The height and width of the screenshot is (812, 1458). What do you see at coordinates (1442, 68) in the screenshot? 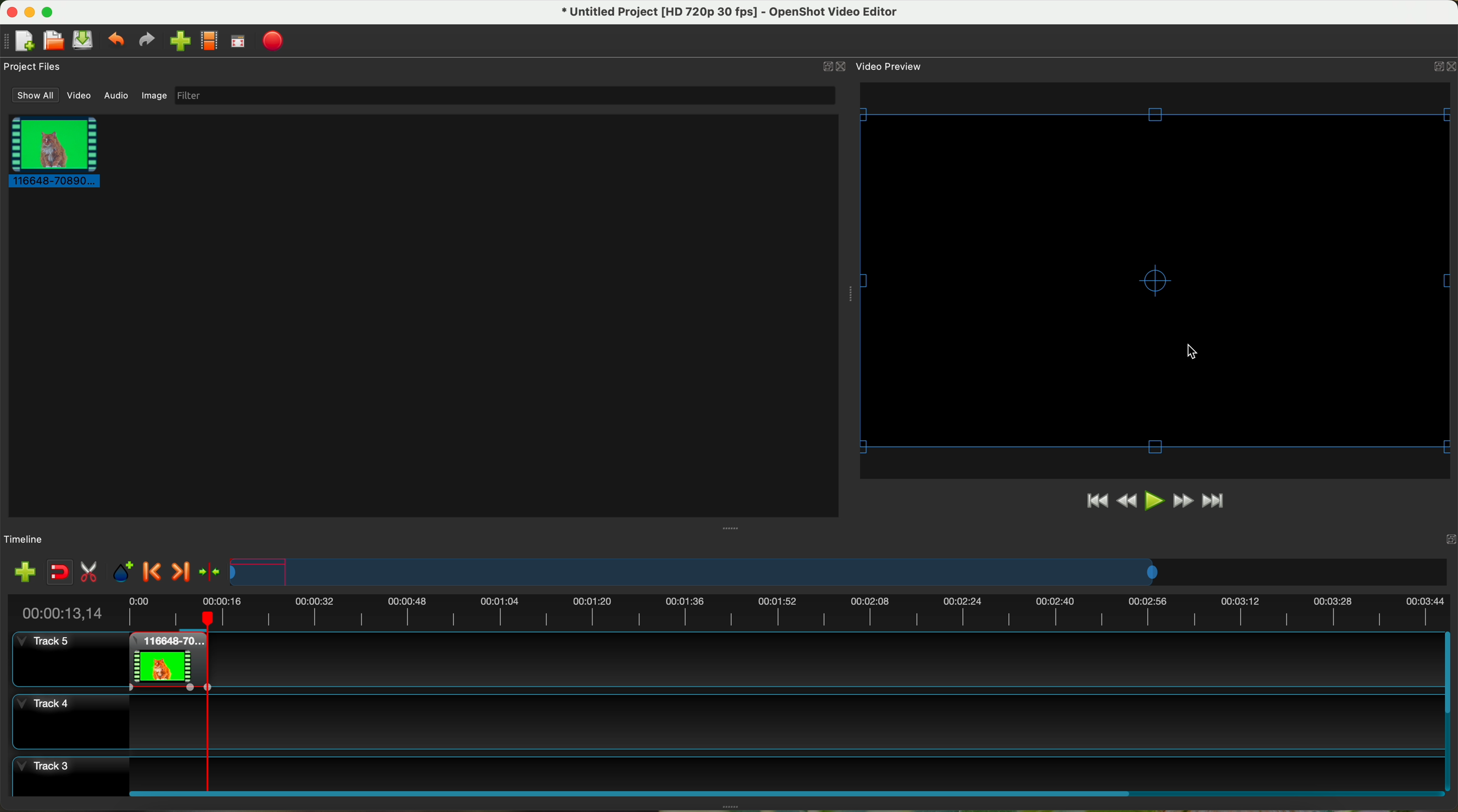
I see `close` at bounding box center [1442, 68].